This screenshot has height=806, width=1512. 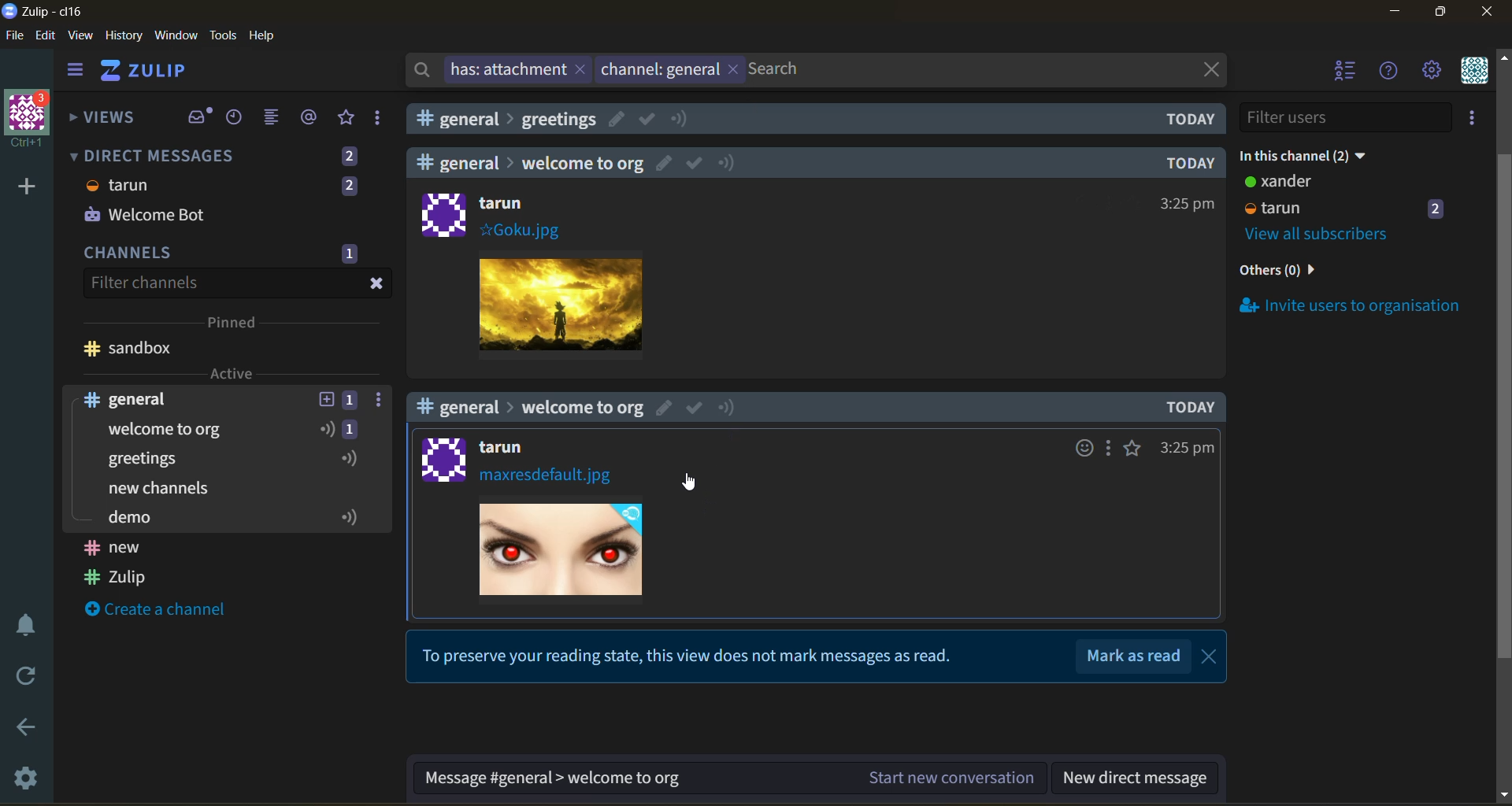 What do you see at coordinates (139, 459) in the screenshot?
I see `greetings` at bounding box center [139, 459].